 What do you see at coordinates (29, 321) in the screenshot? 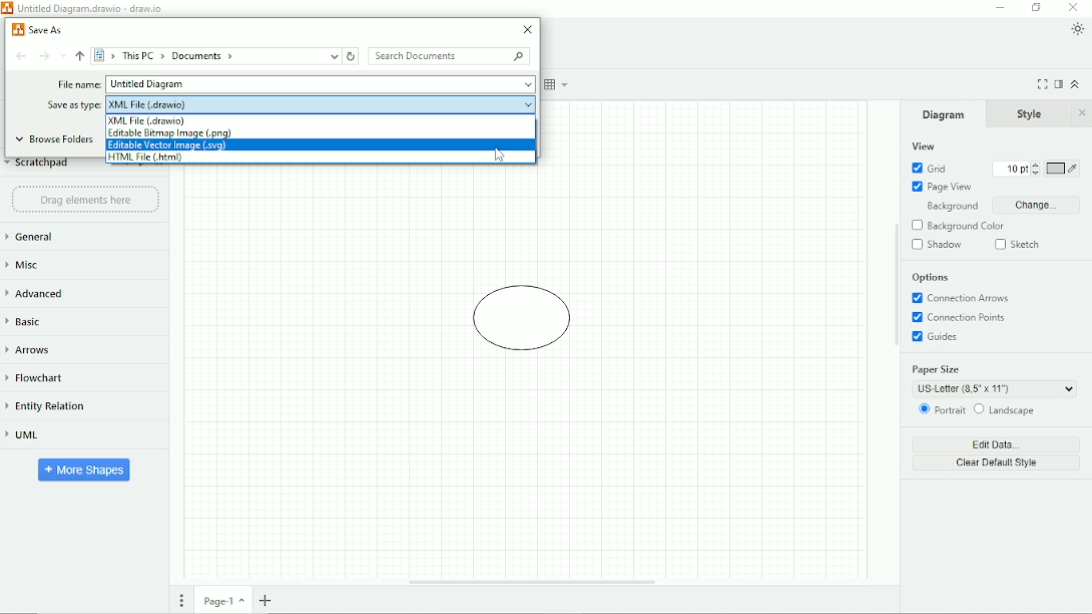
I see `Basic` at bounding box center [29, 321].